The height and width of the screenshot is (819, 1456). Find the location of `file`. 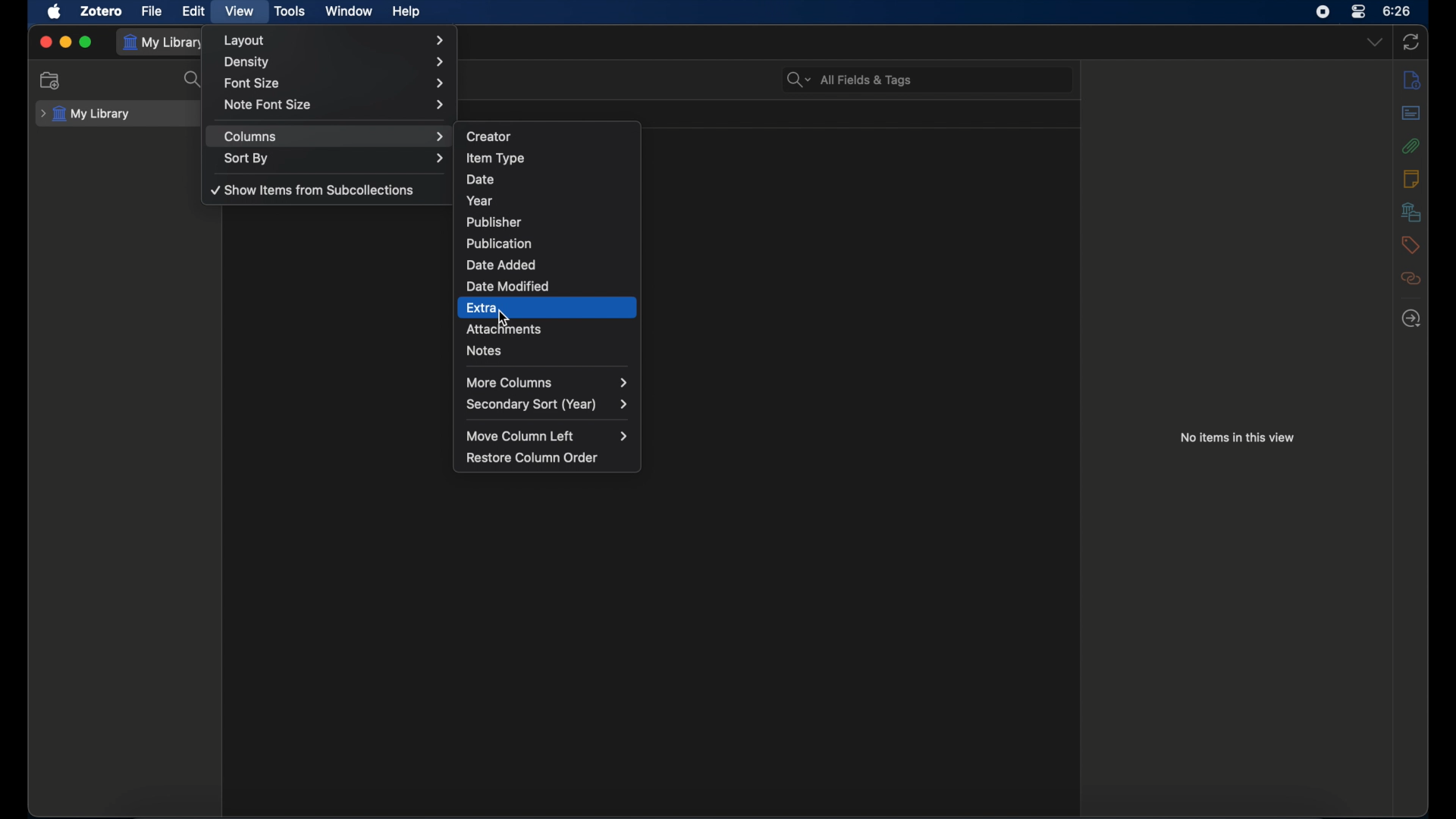

file is located at coordinates (151, 11).